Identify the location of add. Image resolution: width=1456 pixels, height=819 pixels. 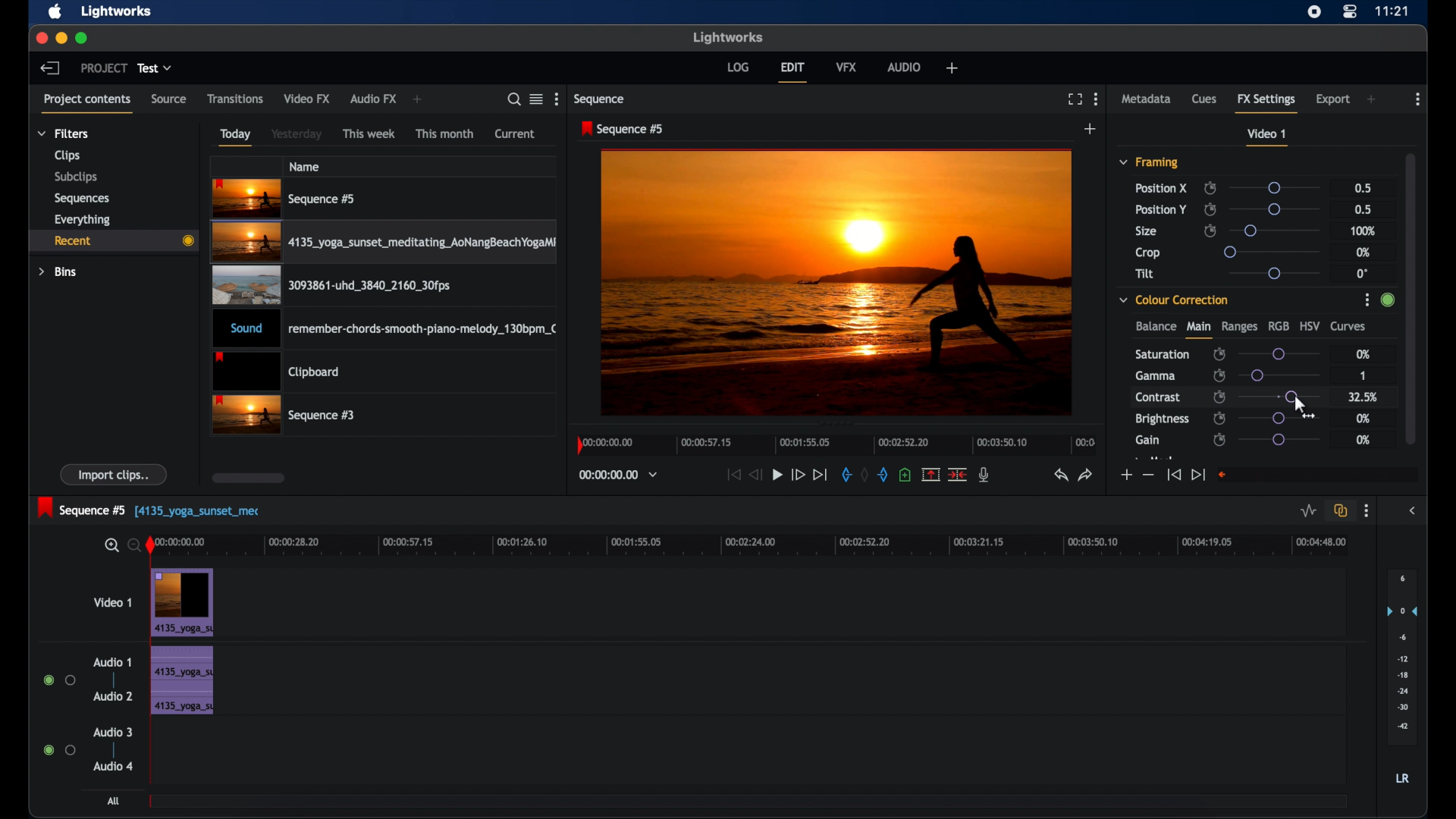
(417, 99).